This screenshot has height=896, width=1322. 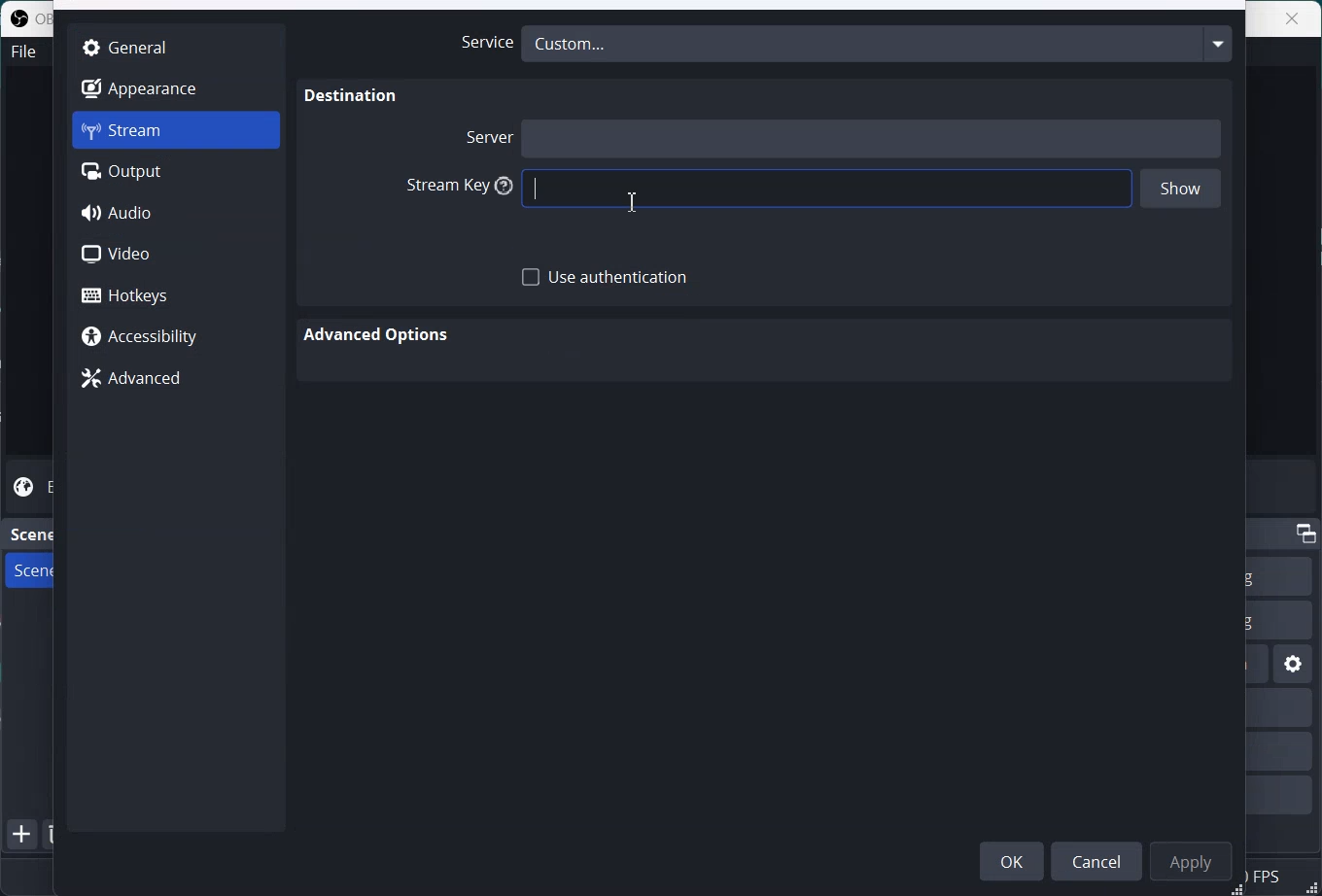 I want to click on Video, so click(x=176, y=254).